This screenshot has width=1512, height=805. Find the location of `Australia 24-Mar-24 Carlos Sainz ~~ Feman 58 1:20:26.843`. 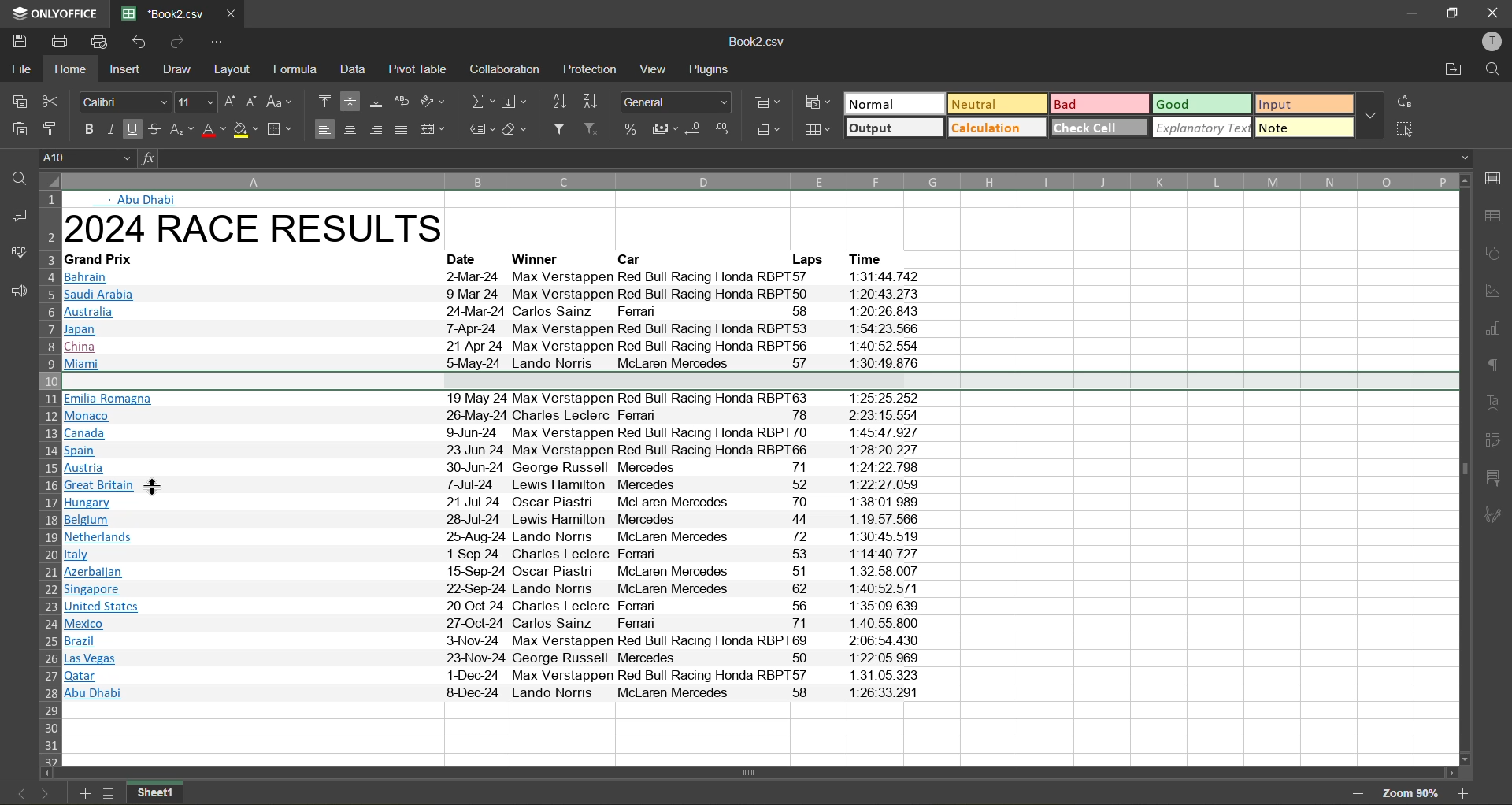

Australia 24-Mar-24 Carlos Sainz ~~ Feman 58 1:20:26.843 is located at coordinates (495, 313).